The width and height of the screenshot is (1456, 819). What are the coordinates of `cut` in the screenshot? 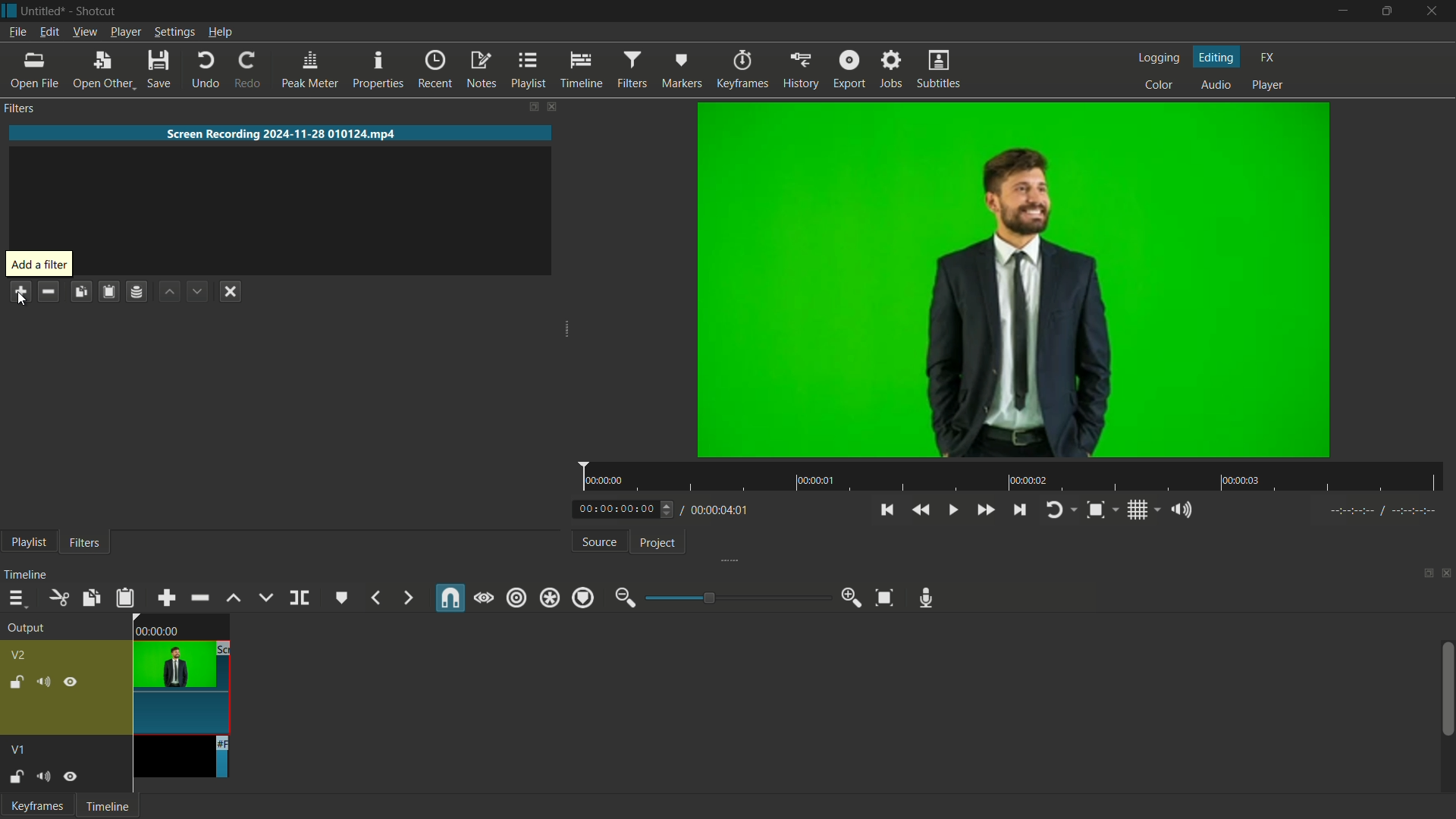 It's located at (57, 597).